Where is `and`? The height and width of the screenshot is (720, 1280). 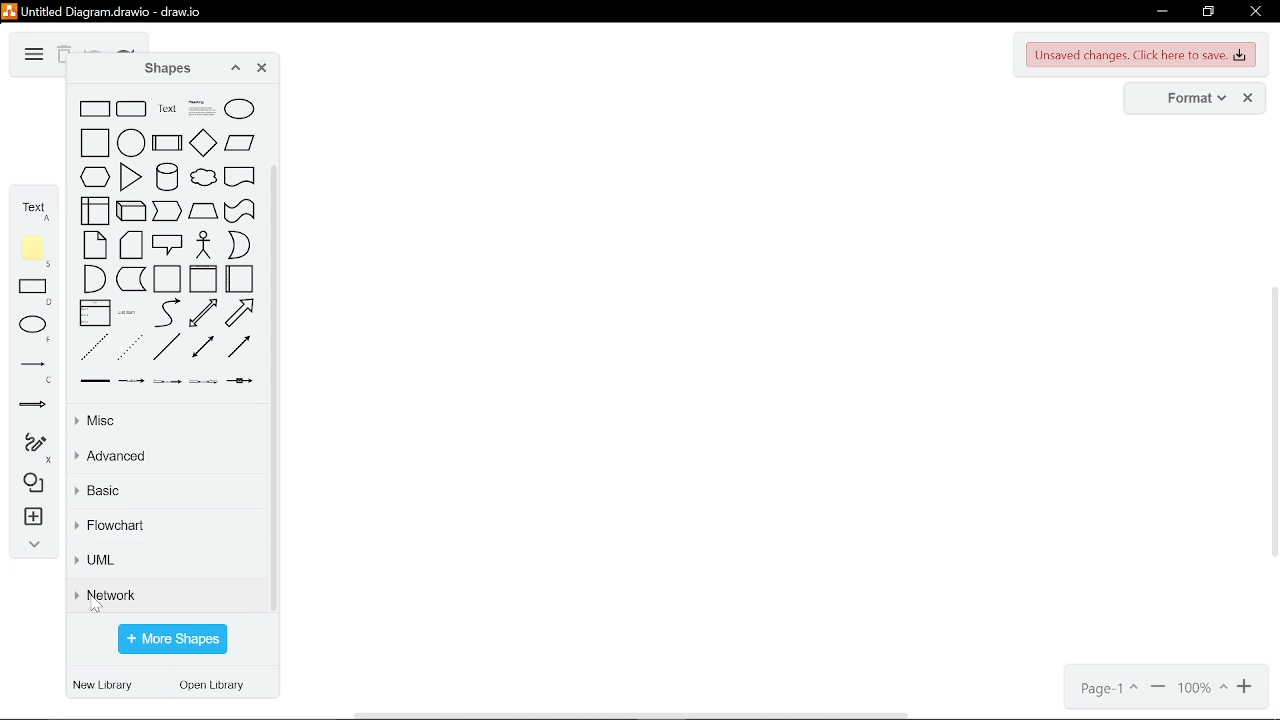 and is located at coordinates (94, 279).